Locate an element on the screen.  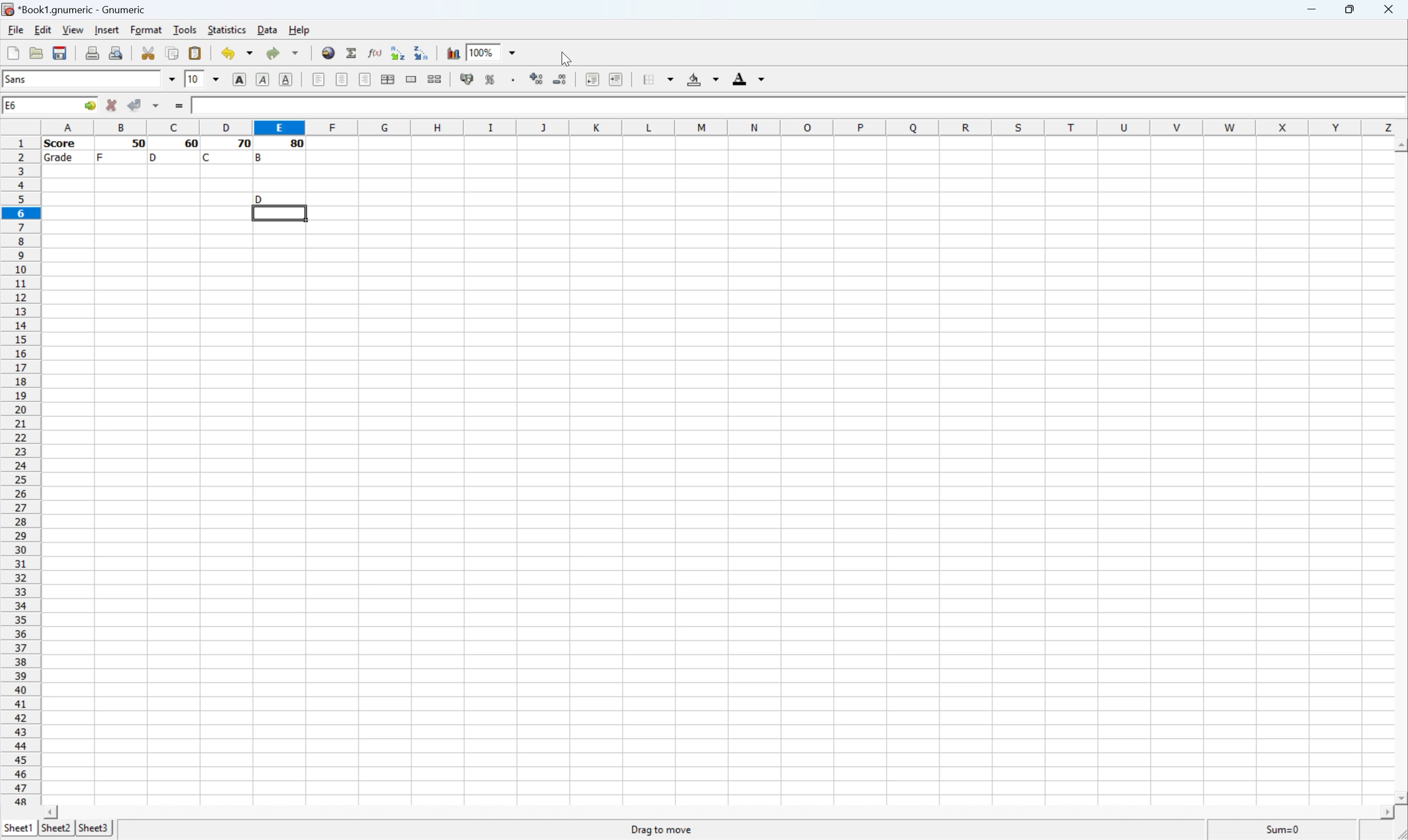
cells is located at coordinates (146, 192).